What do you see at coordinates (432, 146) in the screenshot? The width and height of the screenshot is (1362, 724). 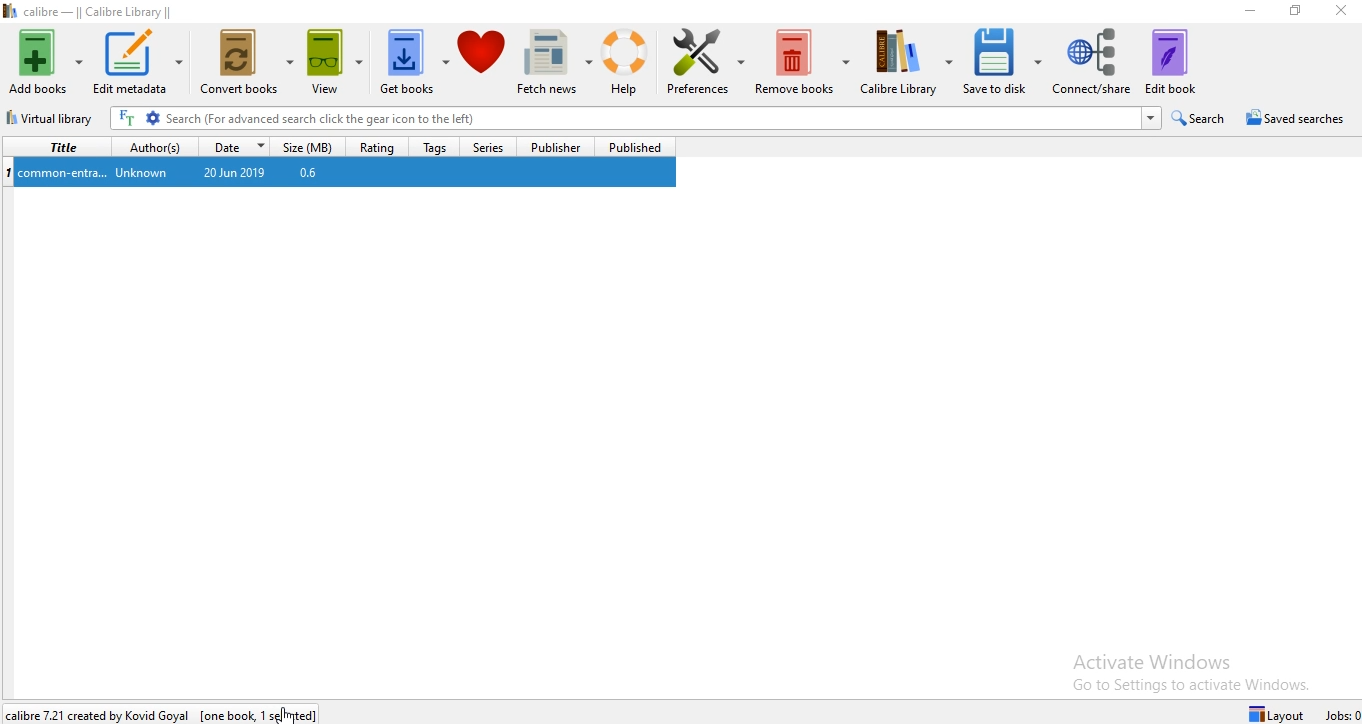 I see `Tags` at bounding box center [432, 146].